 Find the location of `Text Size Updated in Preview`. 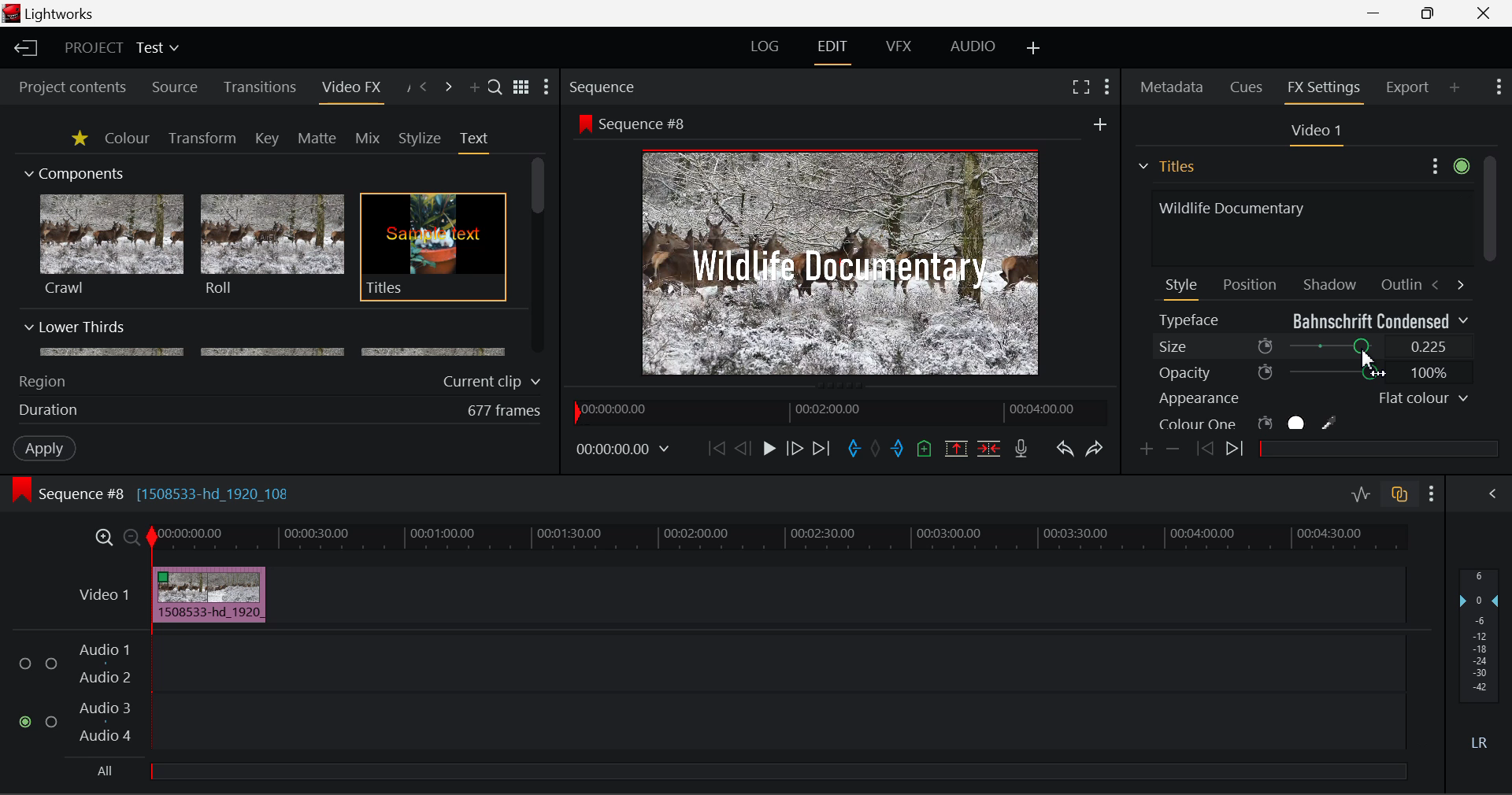

Text Size Updated in Preview is located at coordinates (844, 265).